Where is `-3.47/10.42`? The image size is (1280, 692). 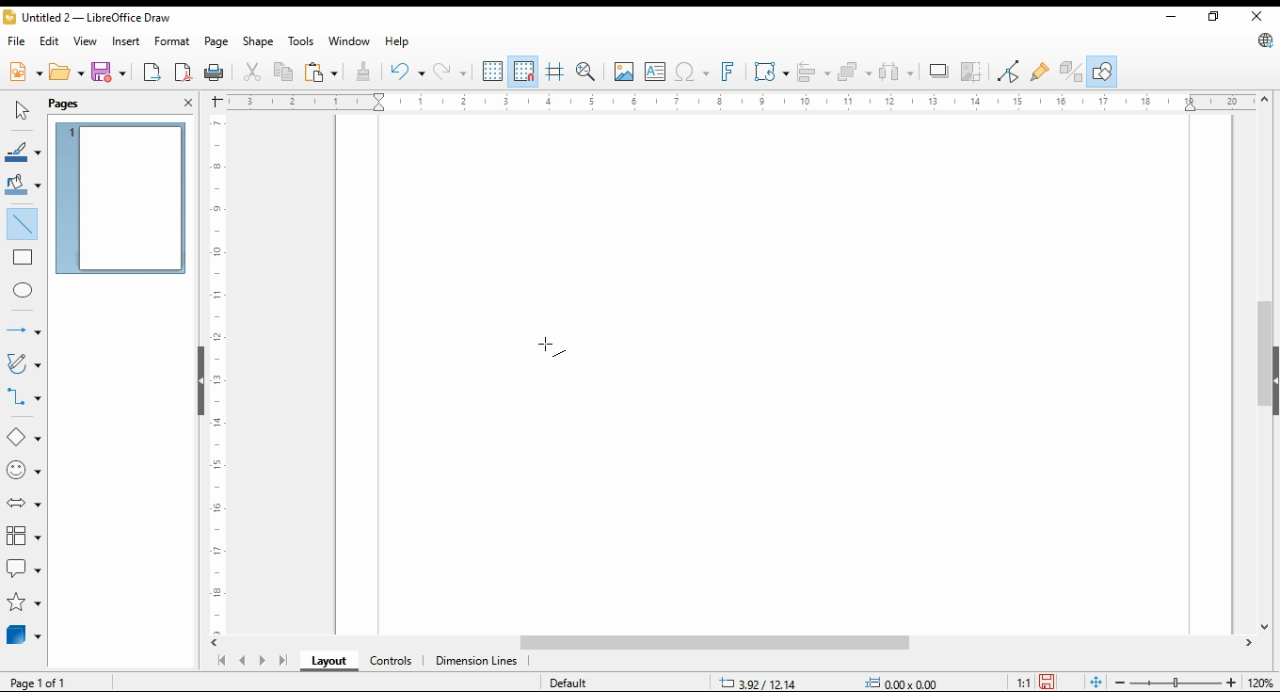 -3.47/10.42 is located at coordinates (760, 683).